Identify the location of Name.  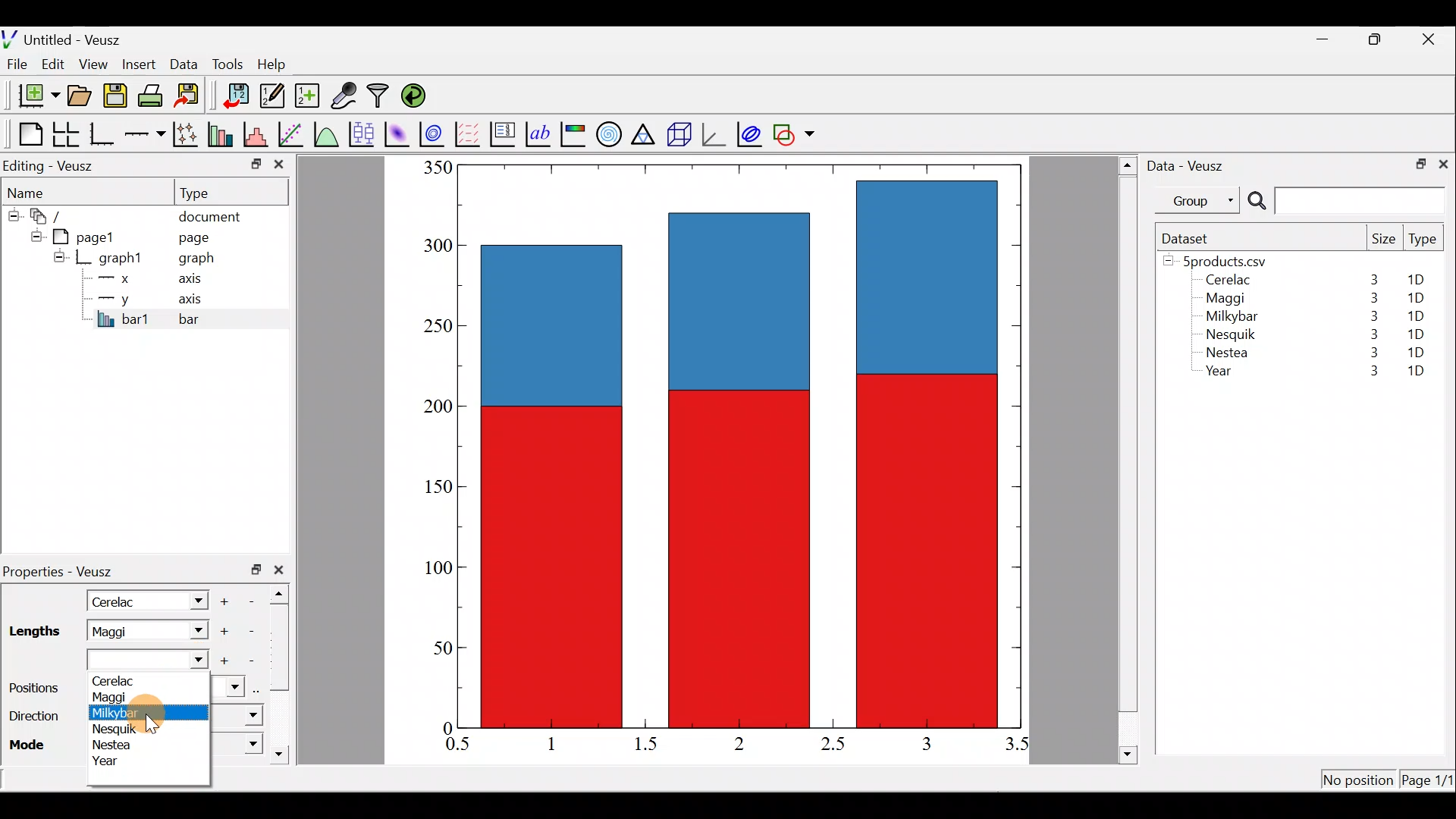
(35, 190).